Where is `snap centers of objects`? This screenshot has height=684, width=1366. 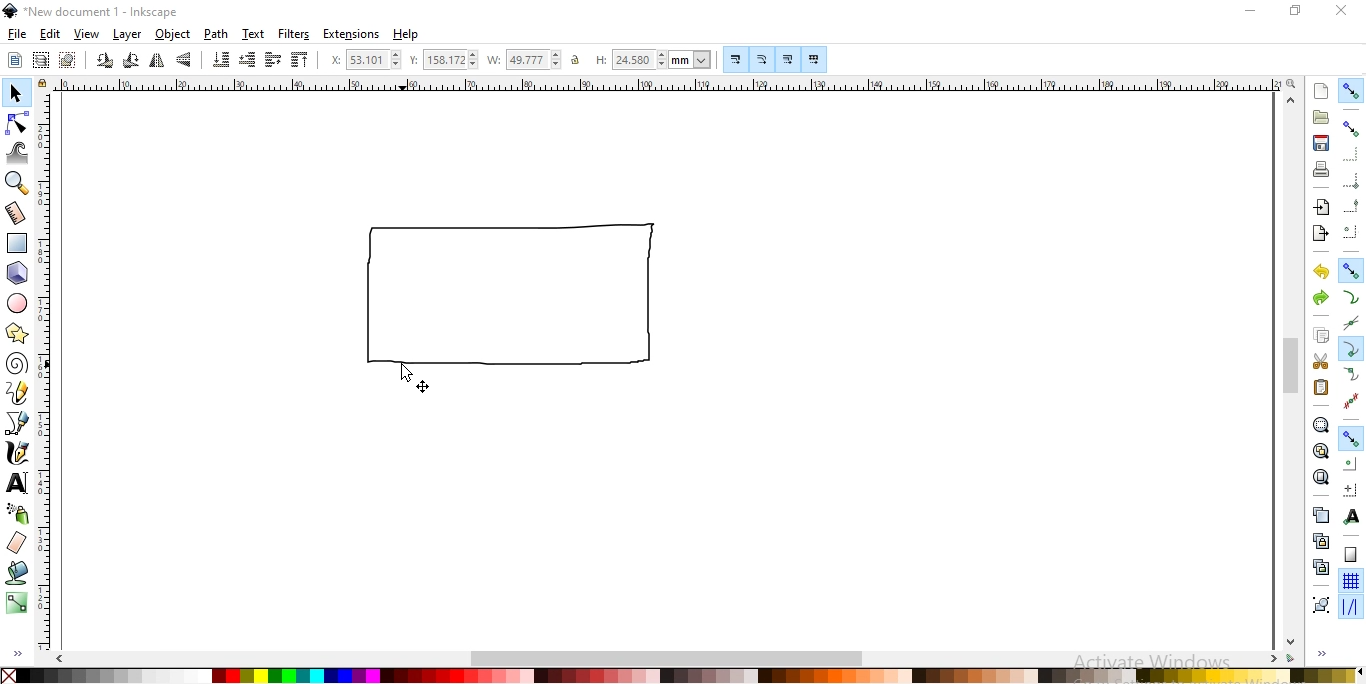 snap centers of objects is located at coordinates (1351, 464).